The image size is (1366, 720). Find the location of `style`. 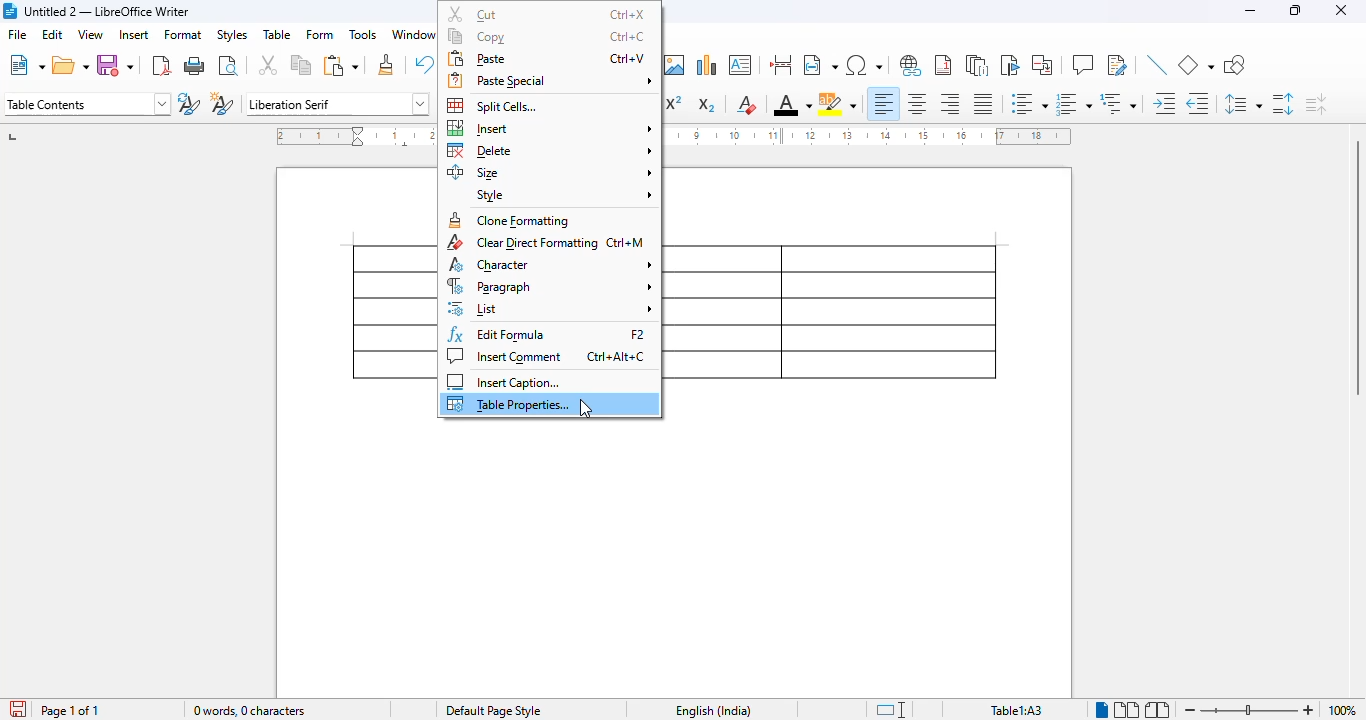

style is located at coordinates (564, 195).